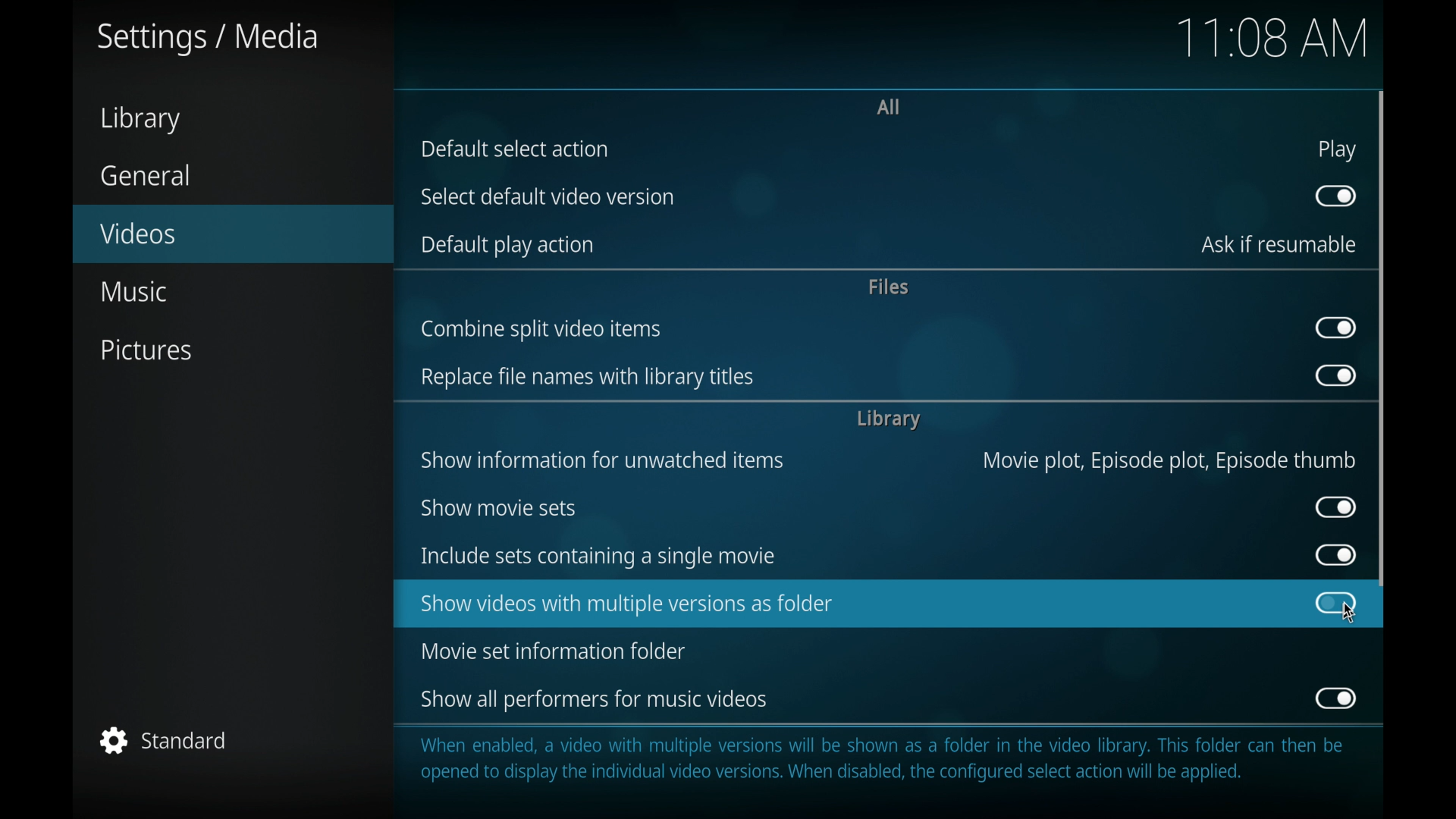 The height and width of the screenshot is (819, 1456). Describe the element at coordinates (1336, 603) in the screenshot. I see `toggle button` at that location.